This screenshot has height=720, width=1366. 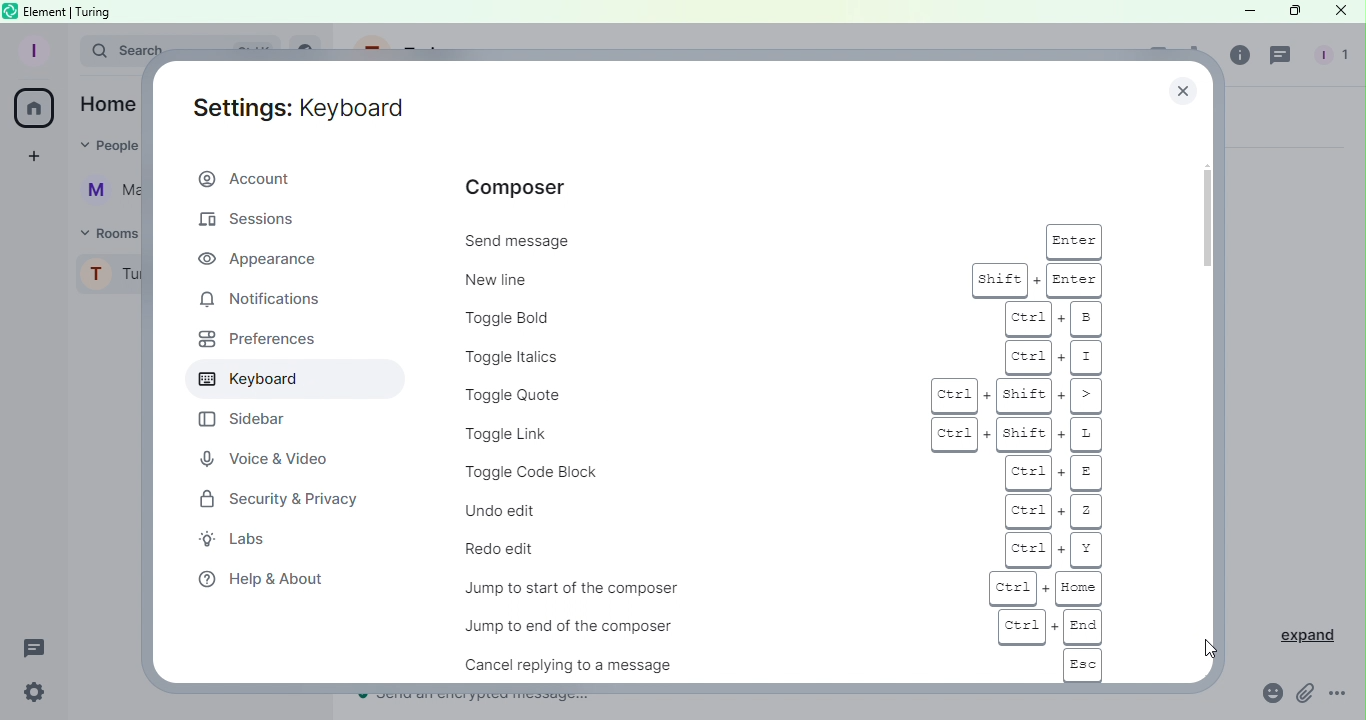 What do you see at coordinates (1209, 652) in the screenshot?
I see `Cursor` at bounding box center [1209, 652].